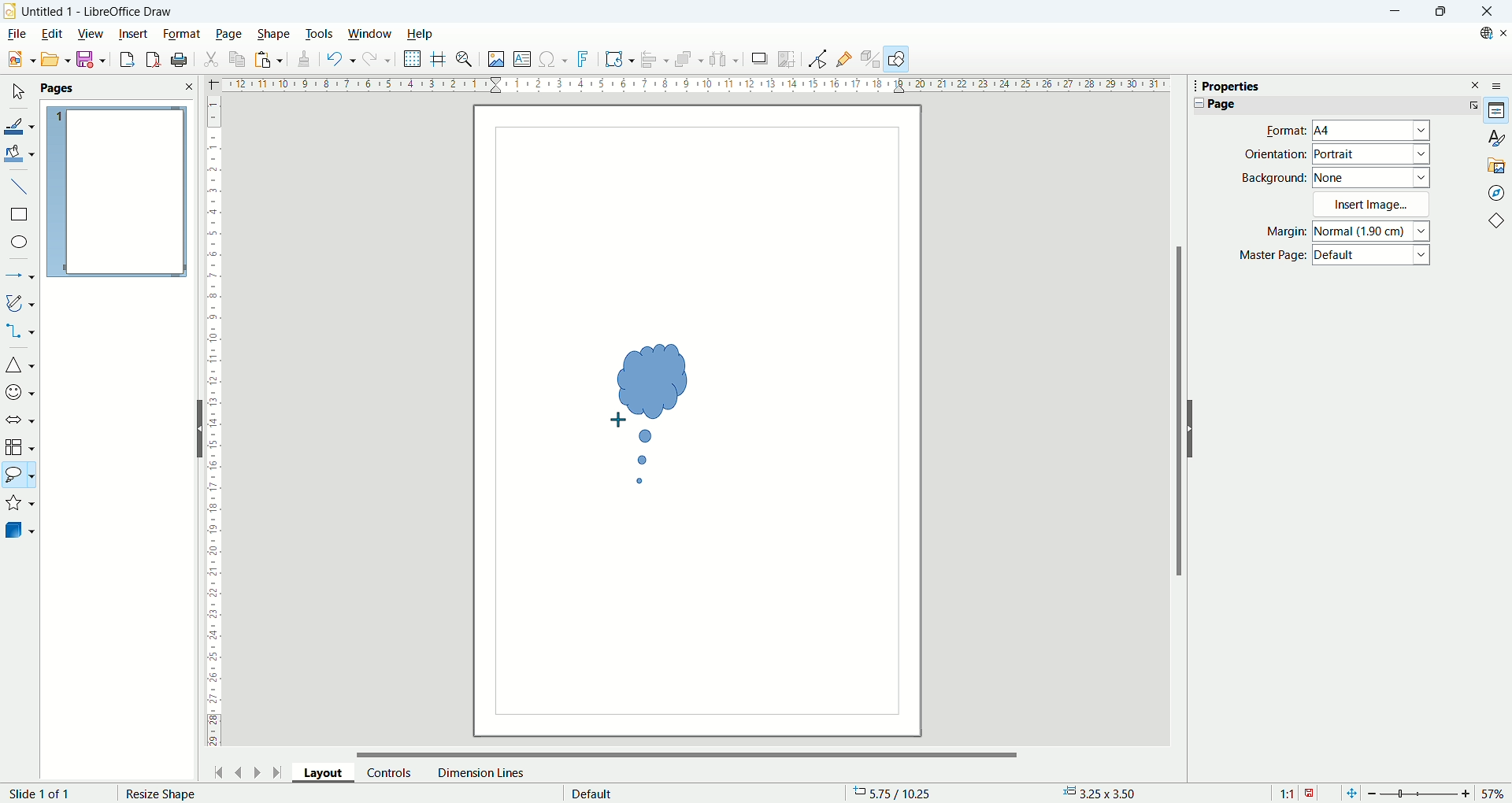  Describe the element at coordinates (20, 243) in the screenshot. I see `ellipse` at that location.